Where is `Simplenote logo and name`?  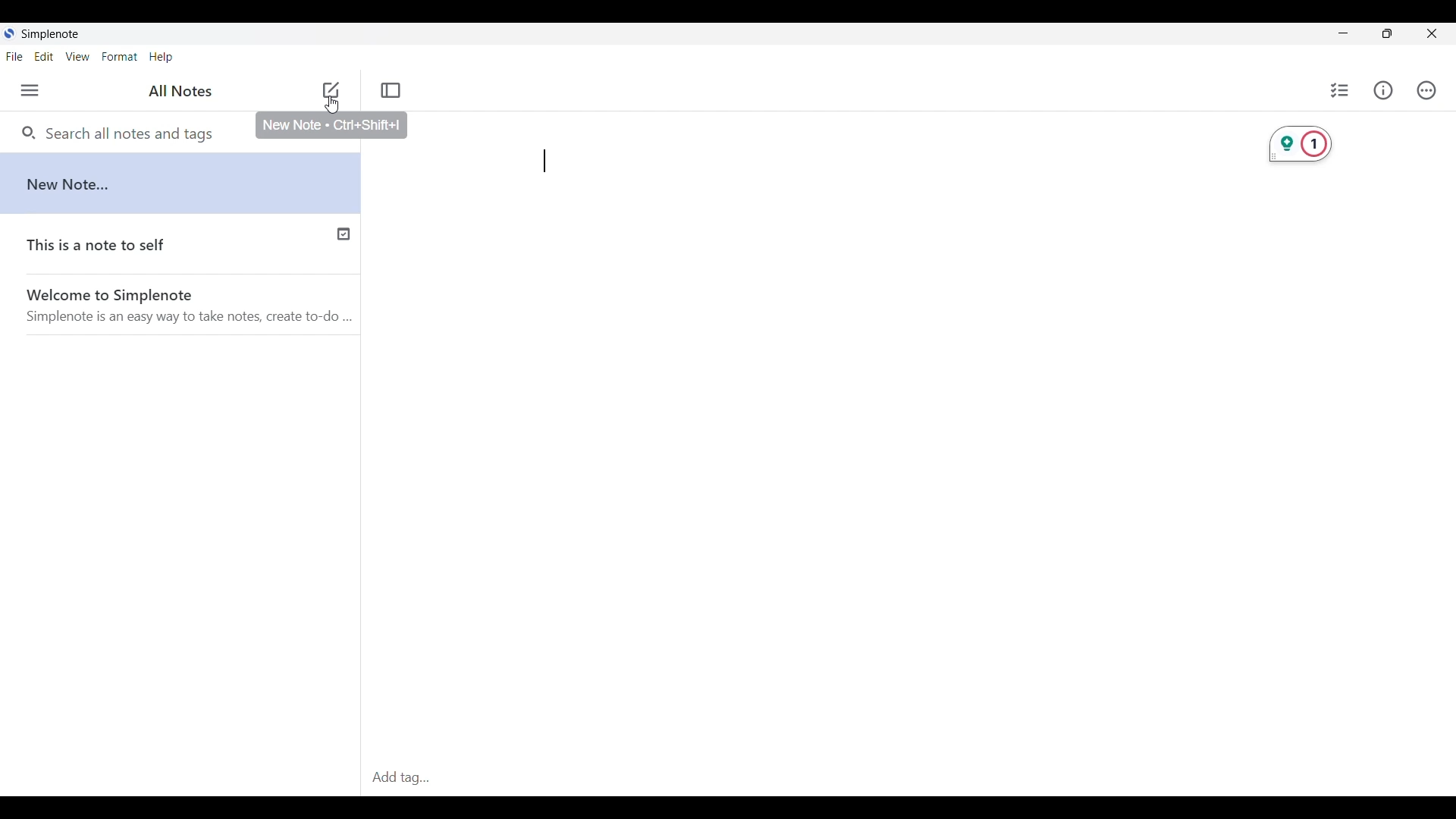 Simplenote logo and name is located at coordinates (48, 33).